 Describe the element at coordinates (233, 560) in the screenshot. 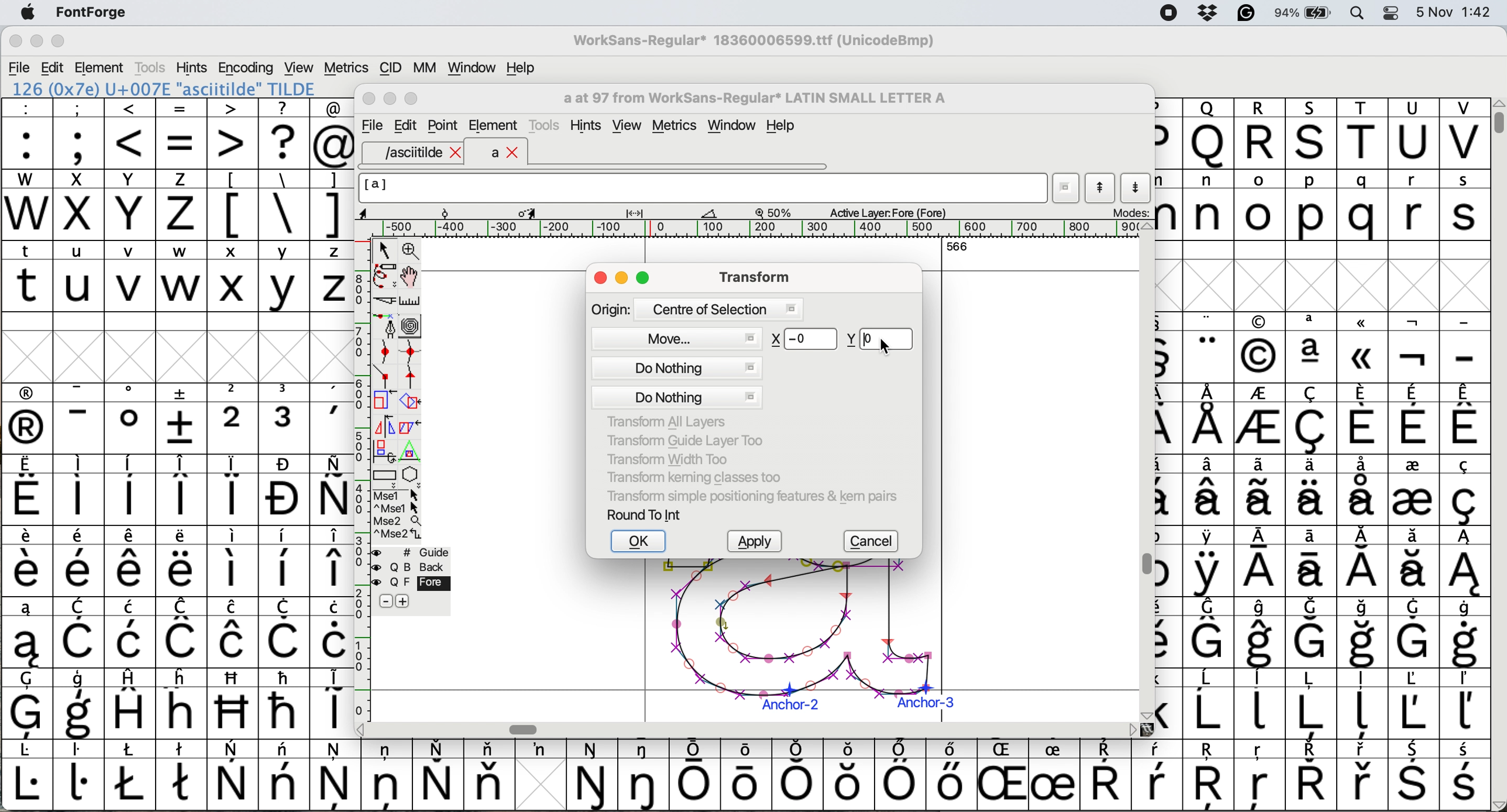

I see `symbol` at that location.